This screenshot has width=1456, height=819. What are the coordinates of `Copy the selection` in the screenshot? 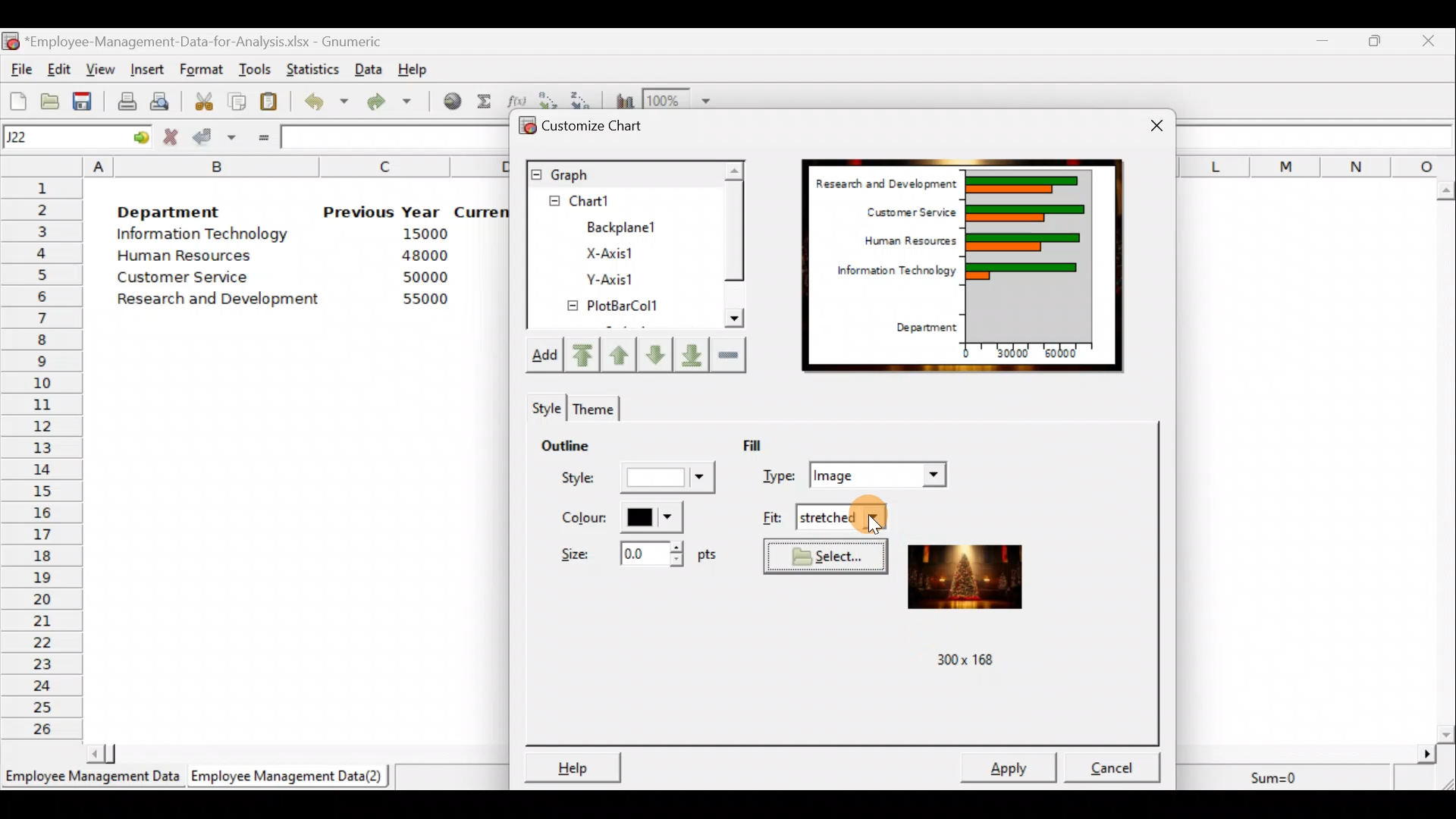 It's located at (241, 102).